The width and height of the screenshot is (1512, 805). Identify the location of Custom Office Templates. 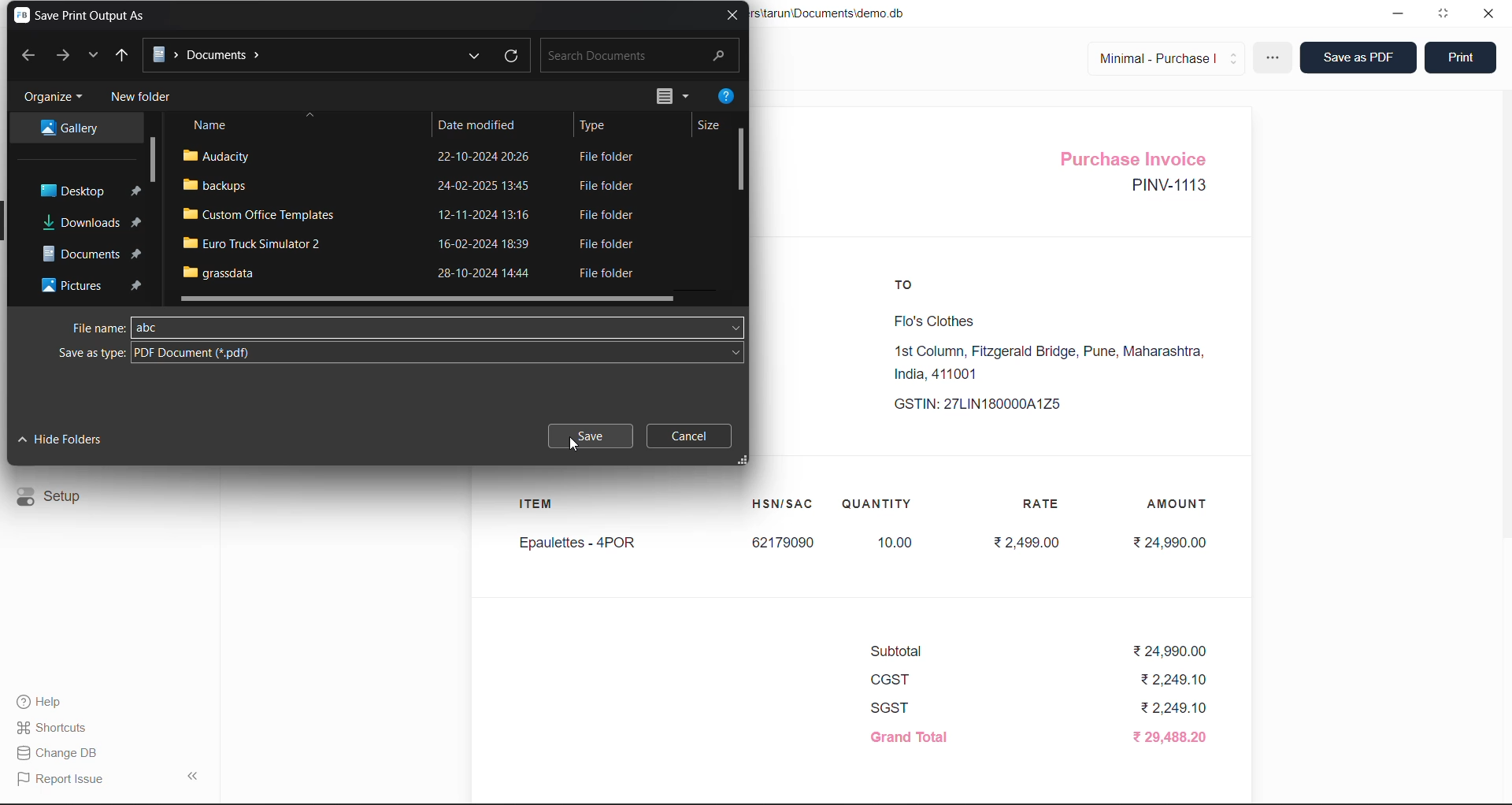
(263, 214).